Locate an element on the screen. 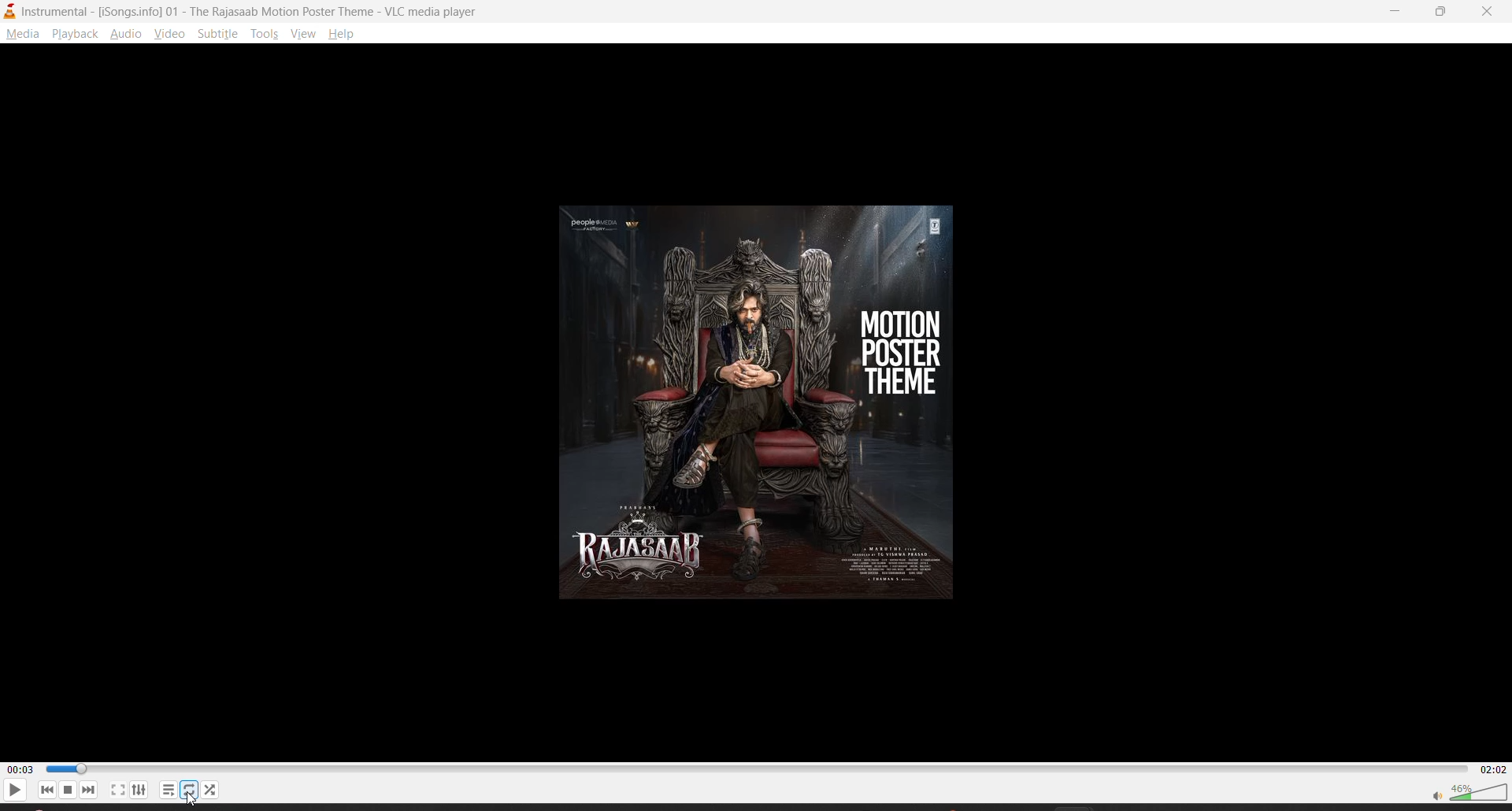  play is located at coordinates (13, 790).